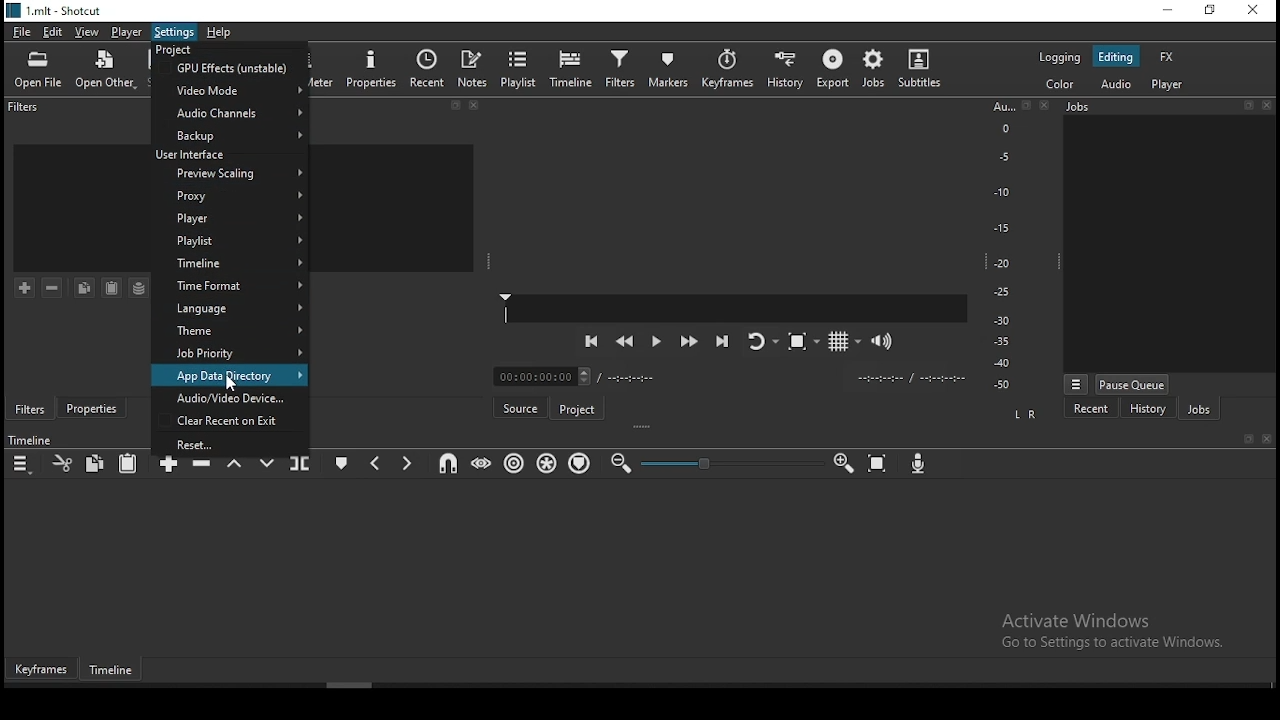 This screenshot has width=1280, height=720. Describe the element at coordinates (372, 67) in the screenshot. I see `properties` at that location.